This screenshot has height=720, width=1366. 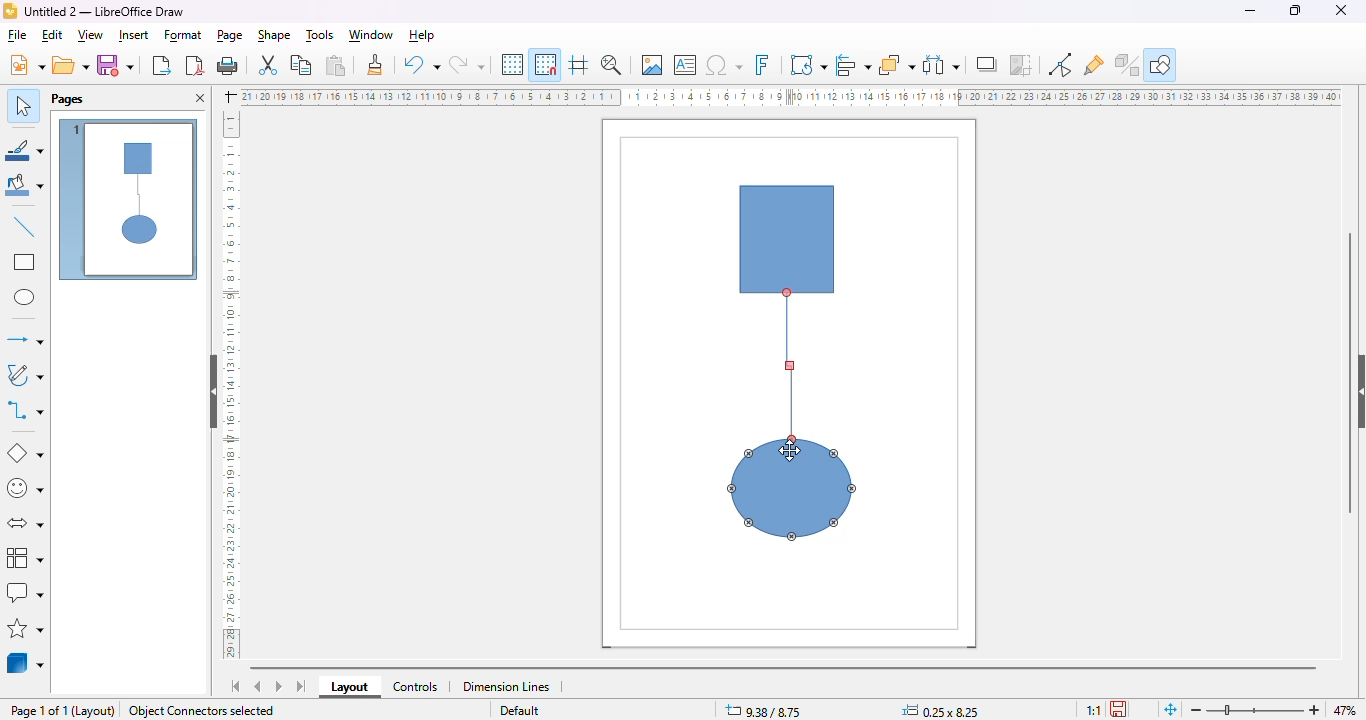 What do you see at coordinates (808, 65) in the screenshot?
I see `transformations` at bounding box center [808, 65].